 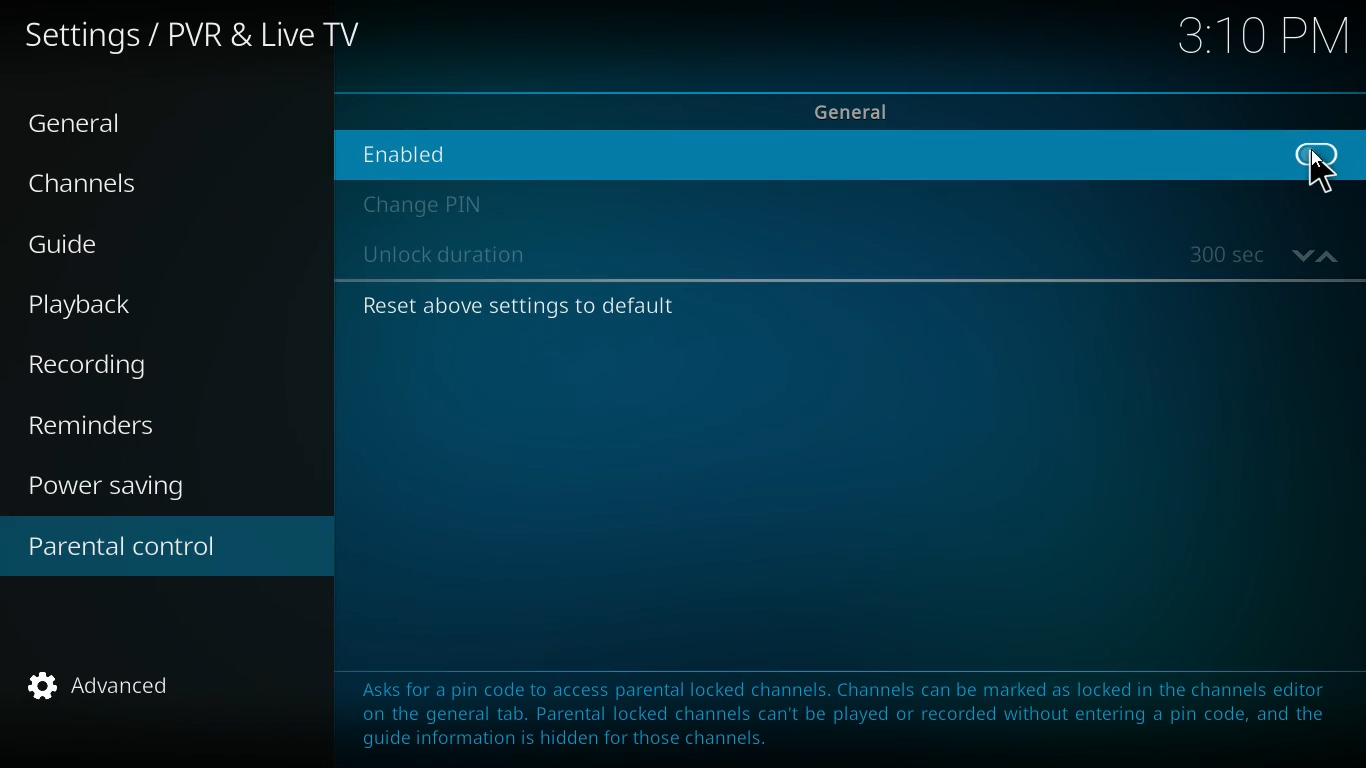 I want to click on message, so click(x=832, y=708).